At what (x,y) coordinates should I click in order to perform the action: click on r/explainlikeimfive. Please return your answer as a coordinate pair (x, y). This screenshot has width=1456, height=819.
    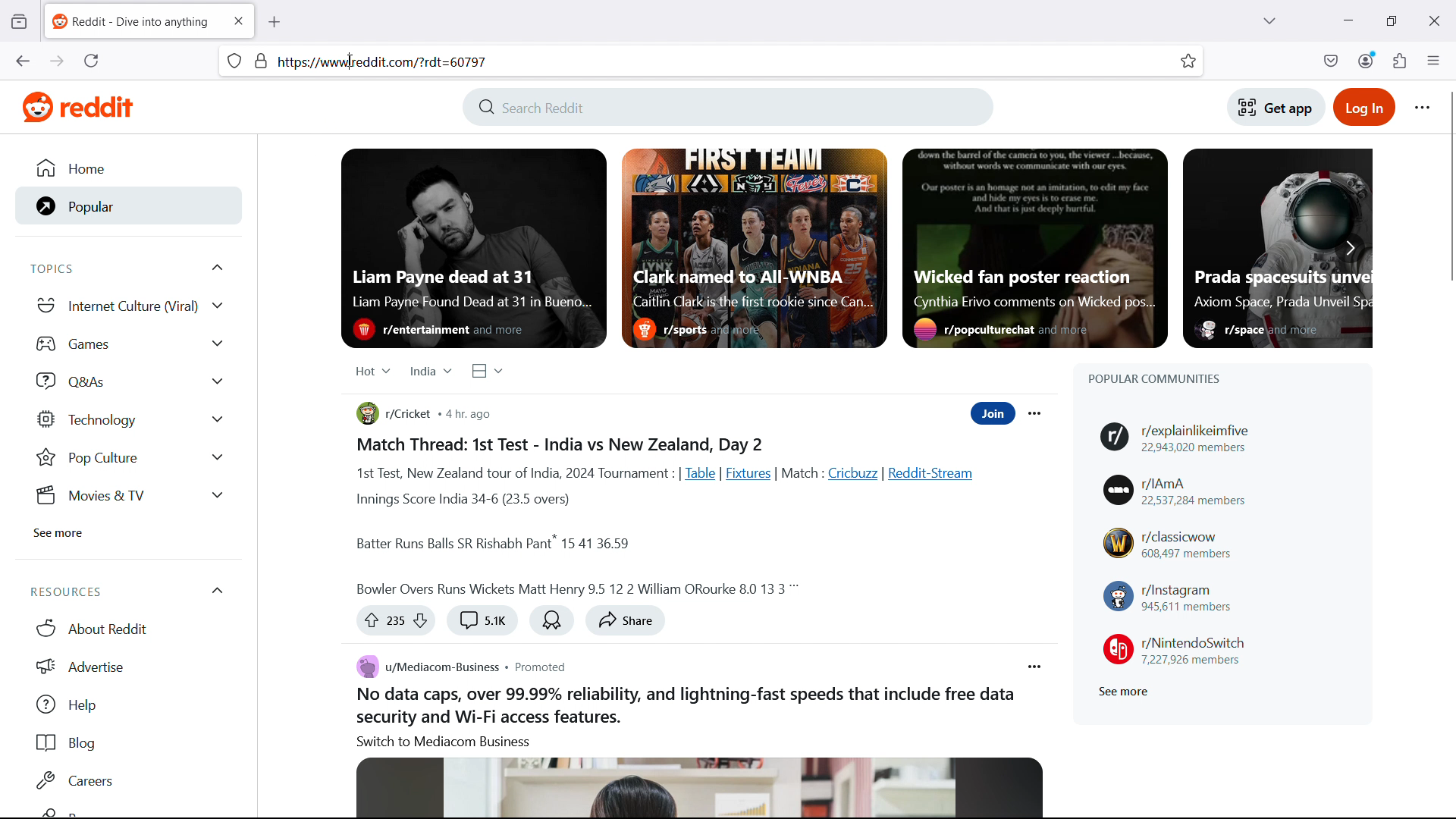
    Looking at the image, I should click on (1184, 438).